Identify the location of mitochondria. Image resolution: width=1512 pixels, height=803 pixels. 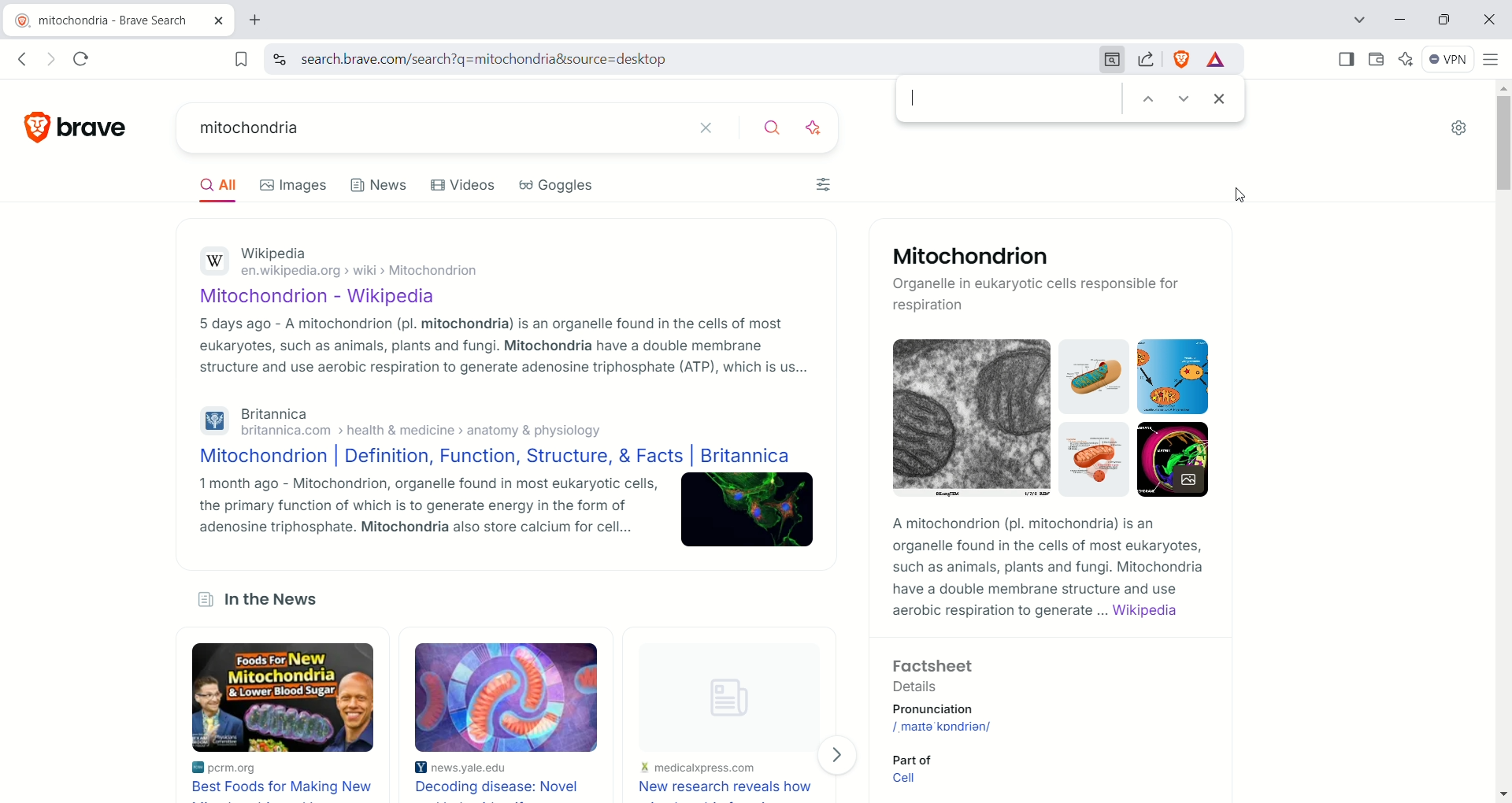
(433, 128).